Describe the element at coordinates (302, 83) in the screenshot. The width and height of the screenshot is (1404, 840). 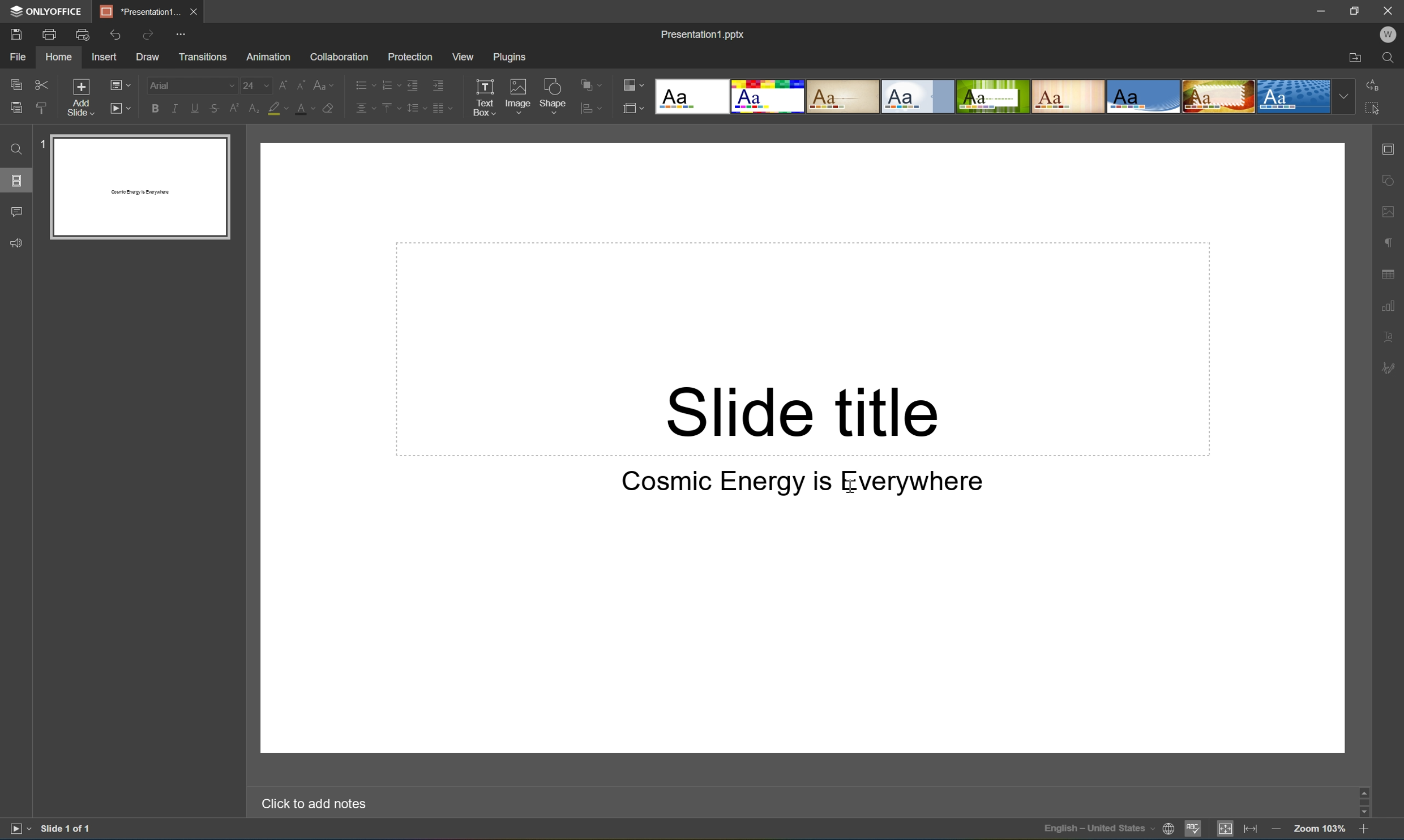
I see `Decrement font size` at that location.